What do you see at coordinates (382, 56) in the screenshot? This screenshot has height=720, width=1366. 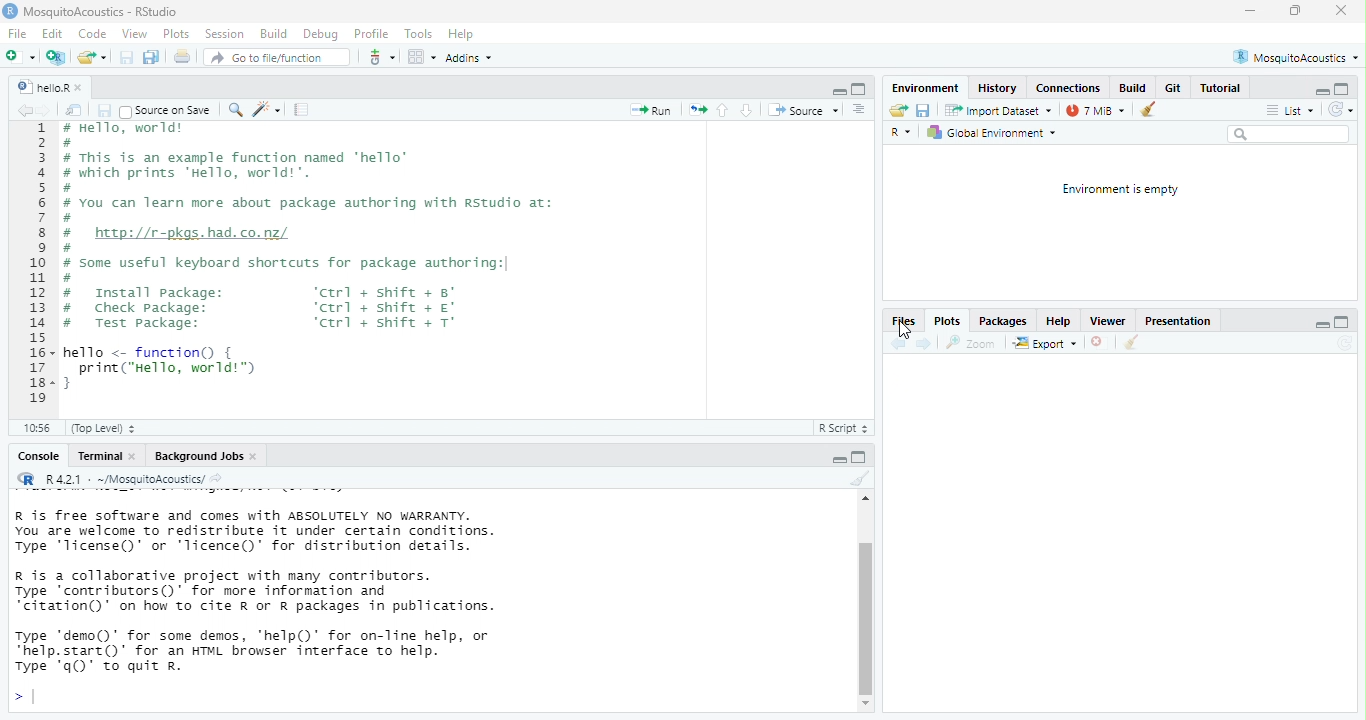 I see `git` at bounding box center [382, 56].